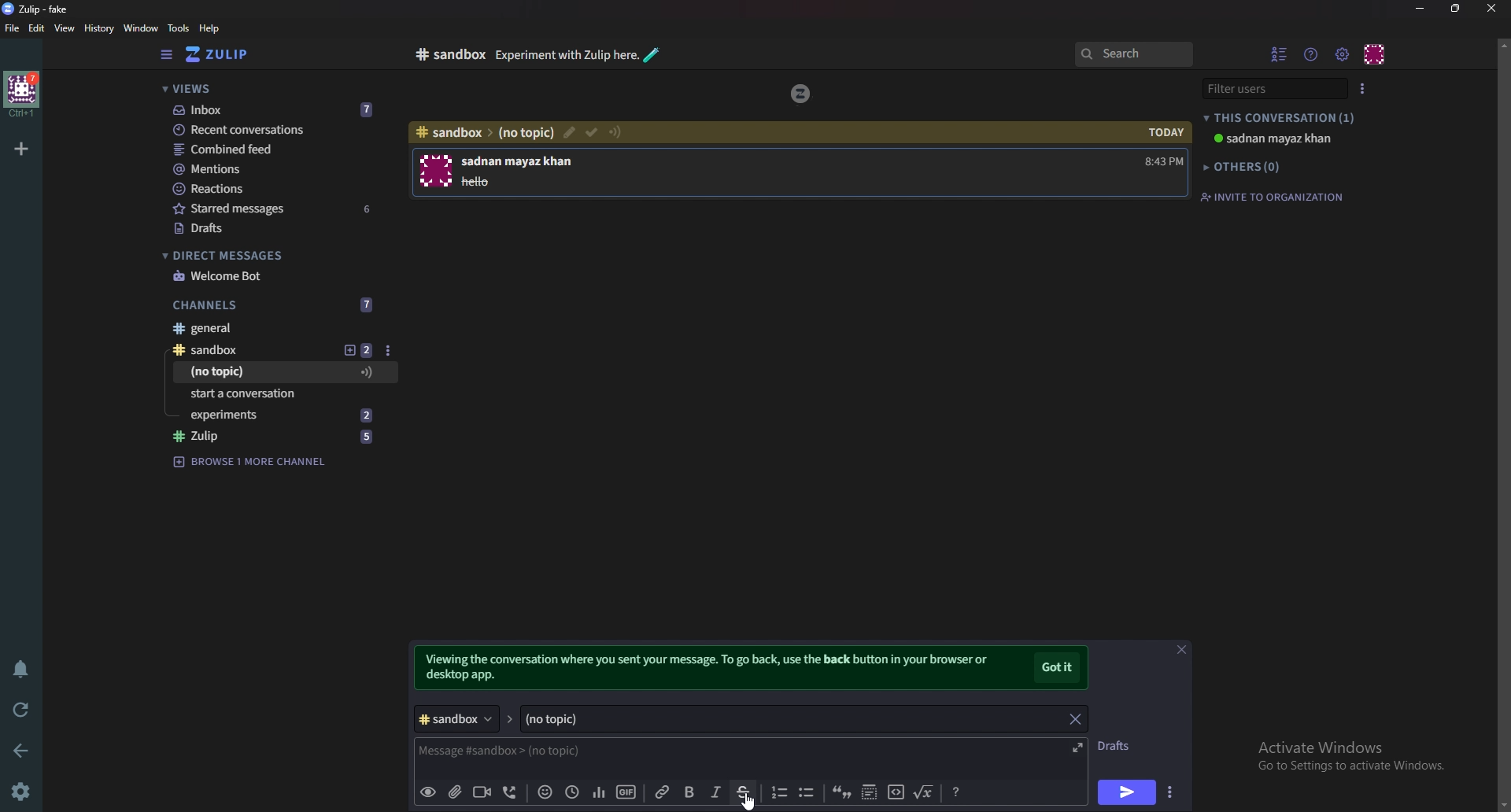  I want to click on format message, so click(956, 792).